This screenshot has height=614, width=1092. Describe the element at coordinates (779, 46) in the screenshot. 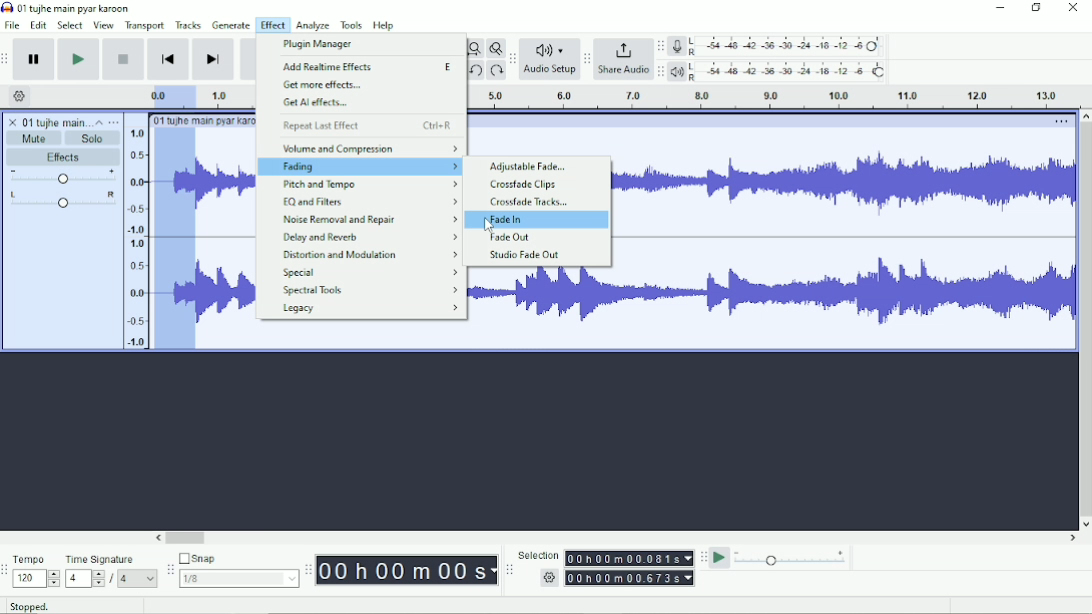

I see `Record Meter` at that location.